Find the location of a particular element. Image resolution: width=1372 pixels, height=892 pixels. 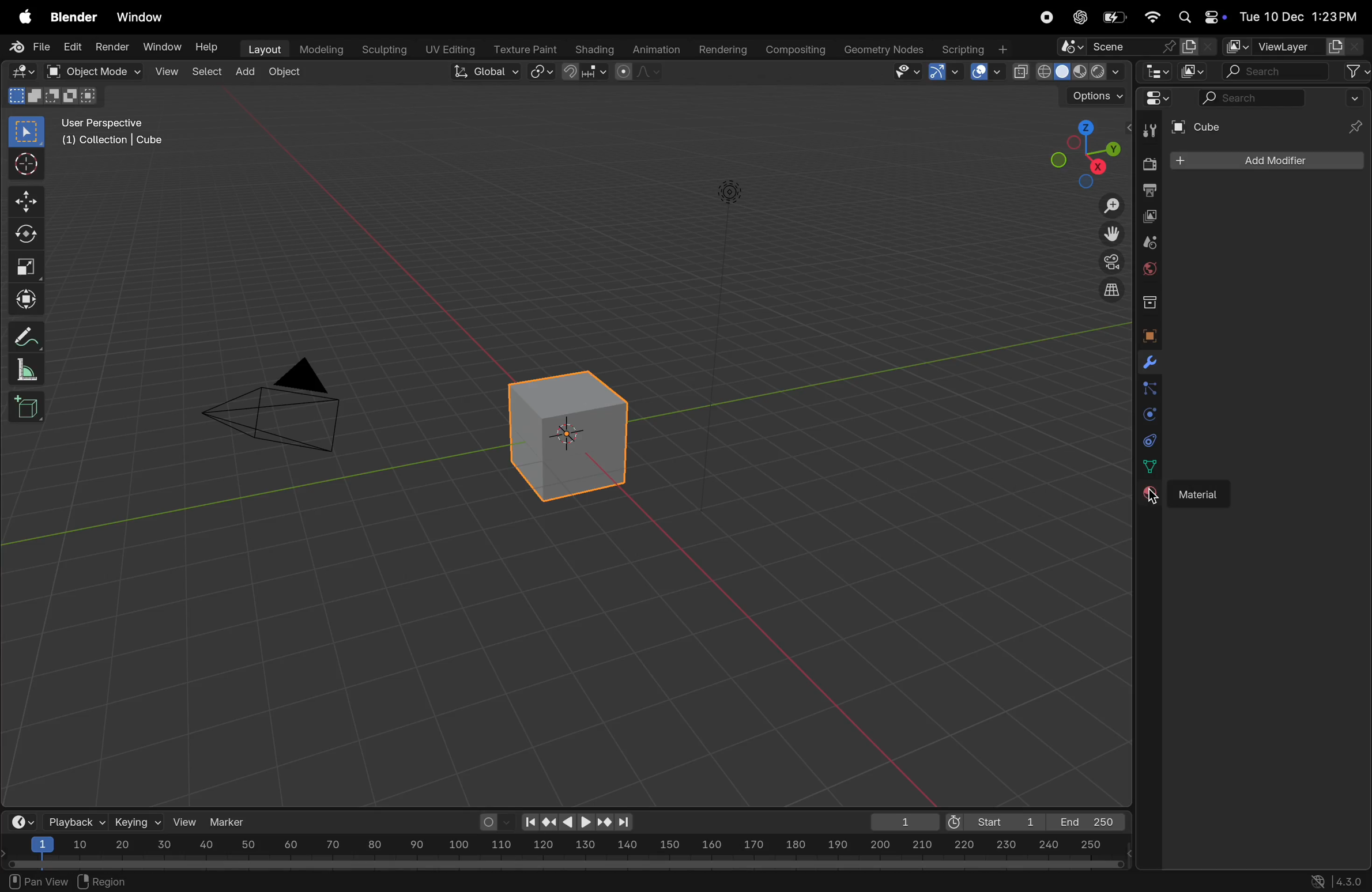

record is located at coordinates (1046, 18).